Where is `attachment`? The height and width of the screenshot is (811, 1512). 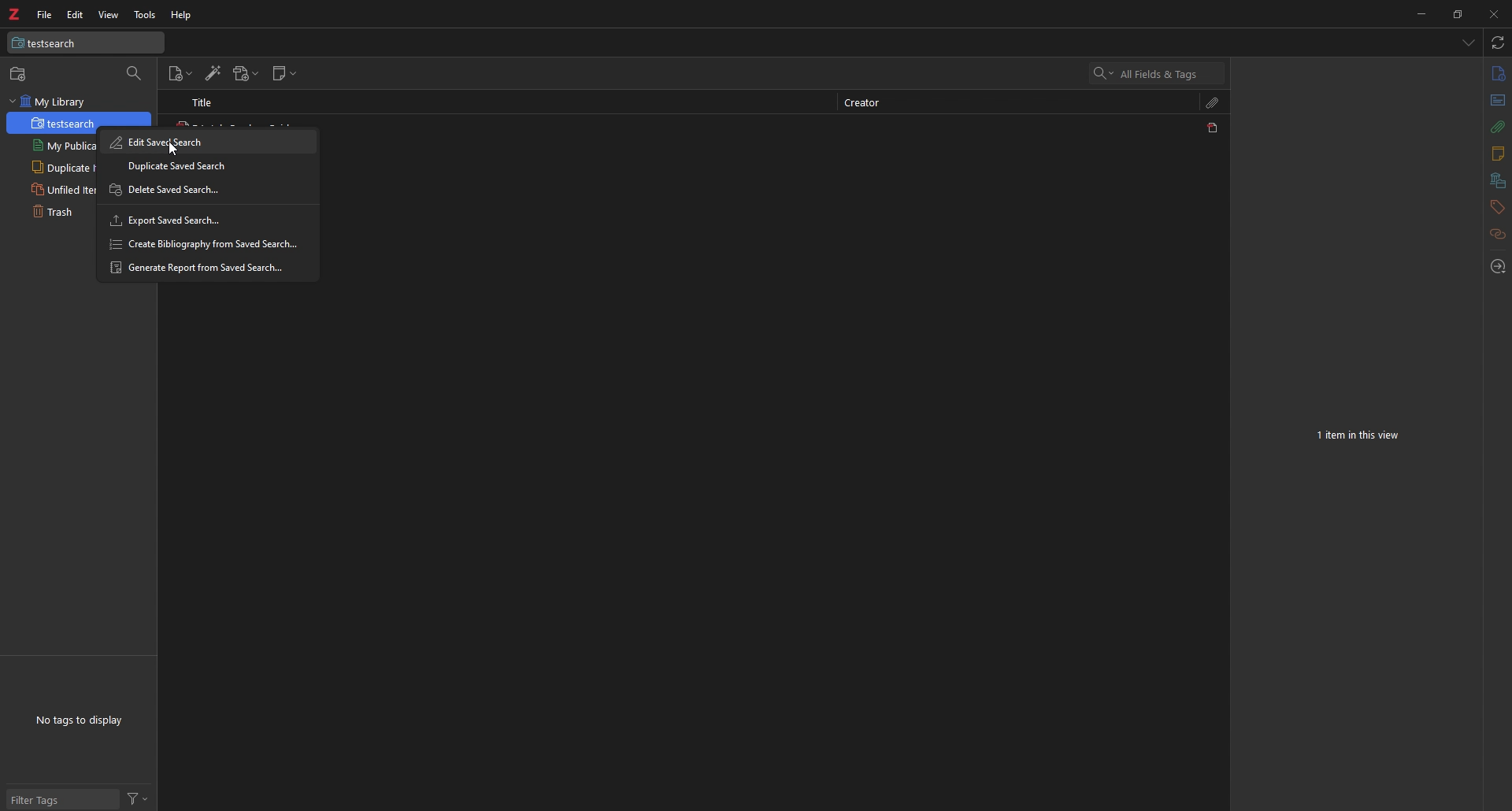 attachment is located at coordinates (1499, 127).